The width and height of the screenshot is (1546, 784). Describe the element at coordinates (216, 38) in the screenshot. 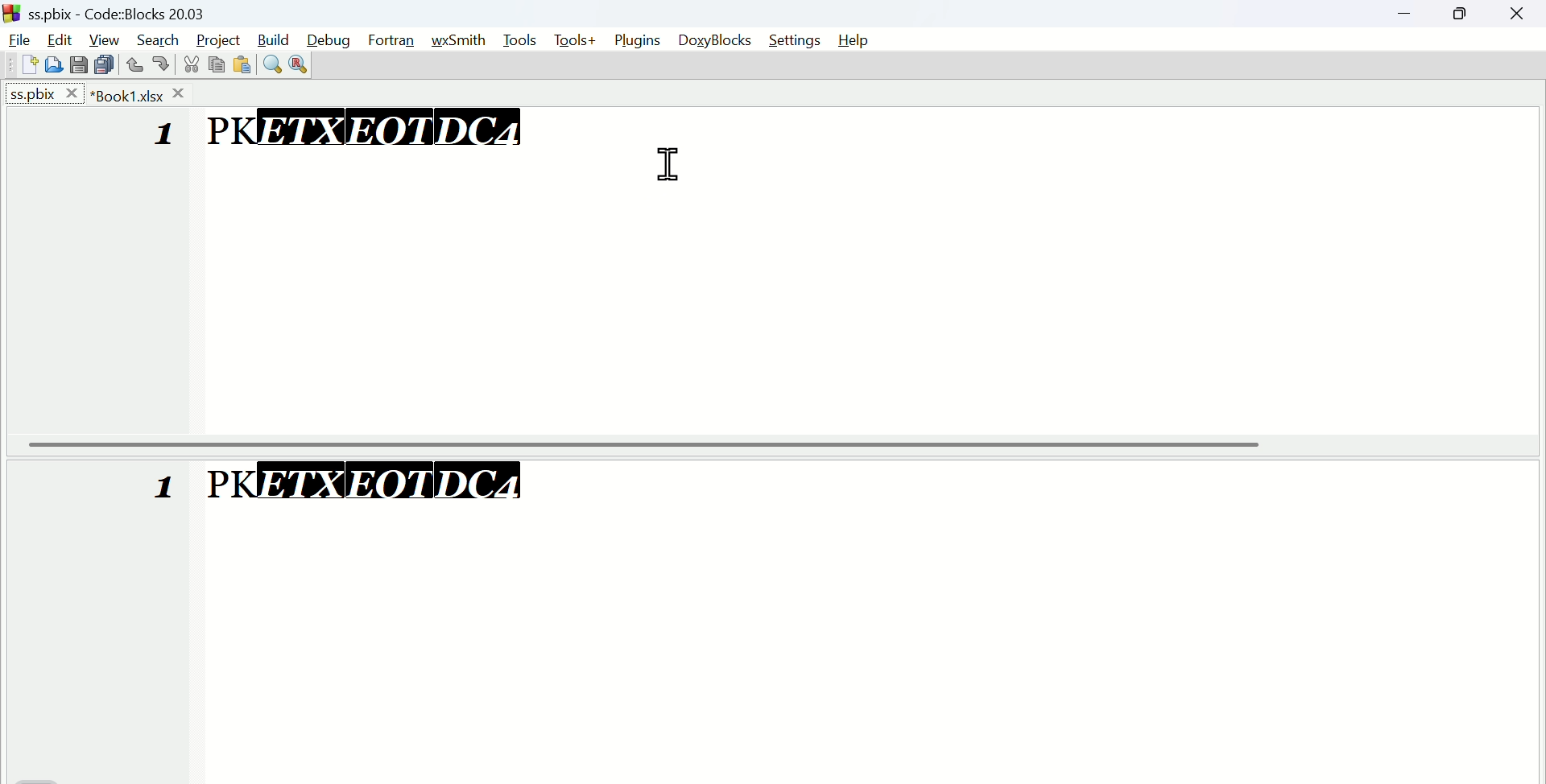

I see `Project` at that location.